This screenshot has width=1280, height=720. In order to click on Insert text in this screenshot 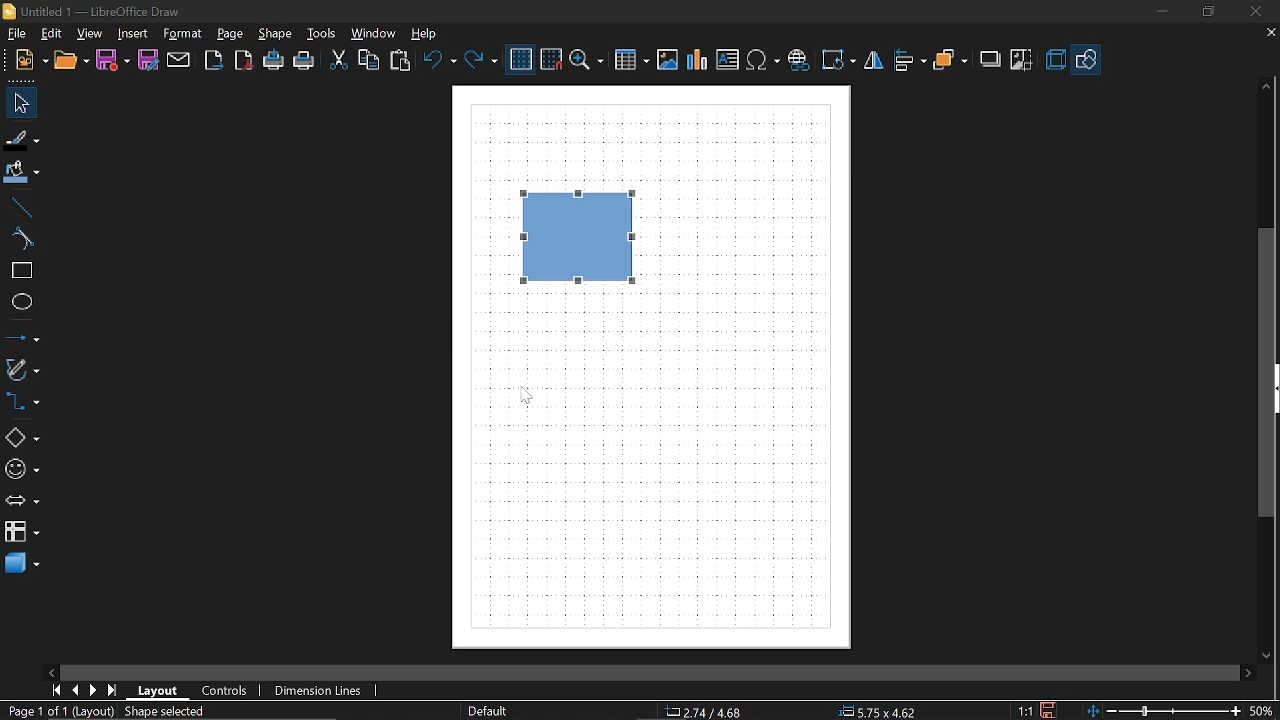, I will do `click(764, 60)`.